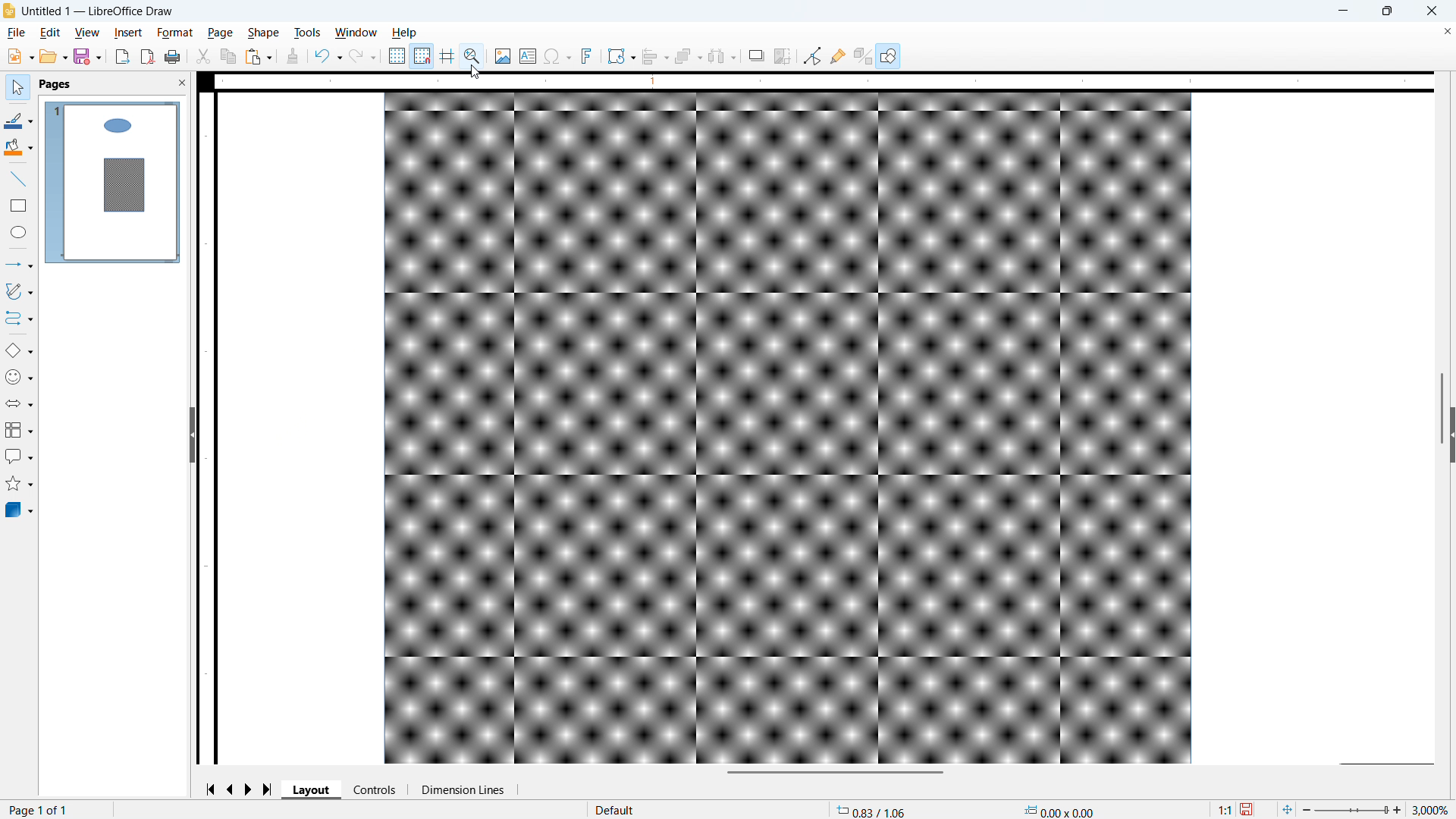 The image size is (1456, 819). What do you see at coordinates (227, 56) in the screenshot?
I see `Copy ` at bounding box center [227, 56].